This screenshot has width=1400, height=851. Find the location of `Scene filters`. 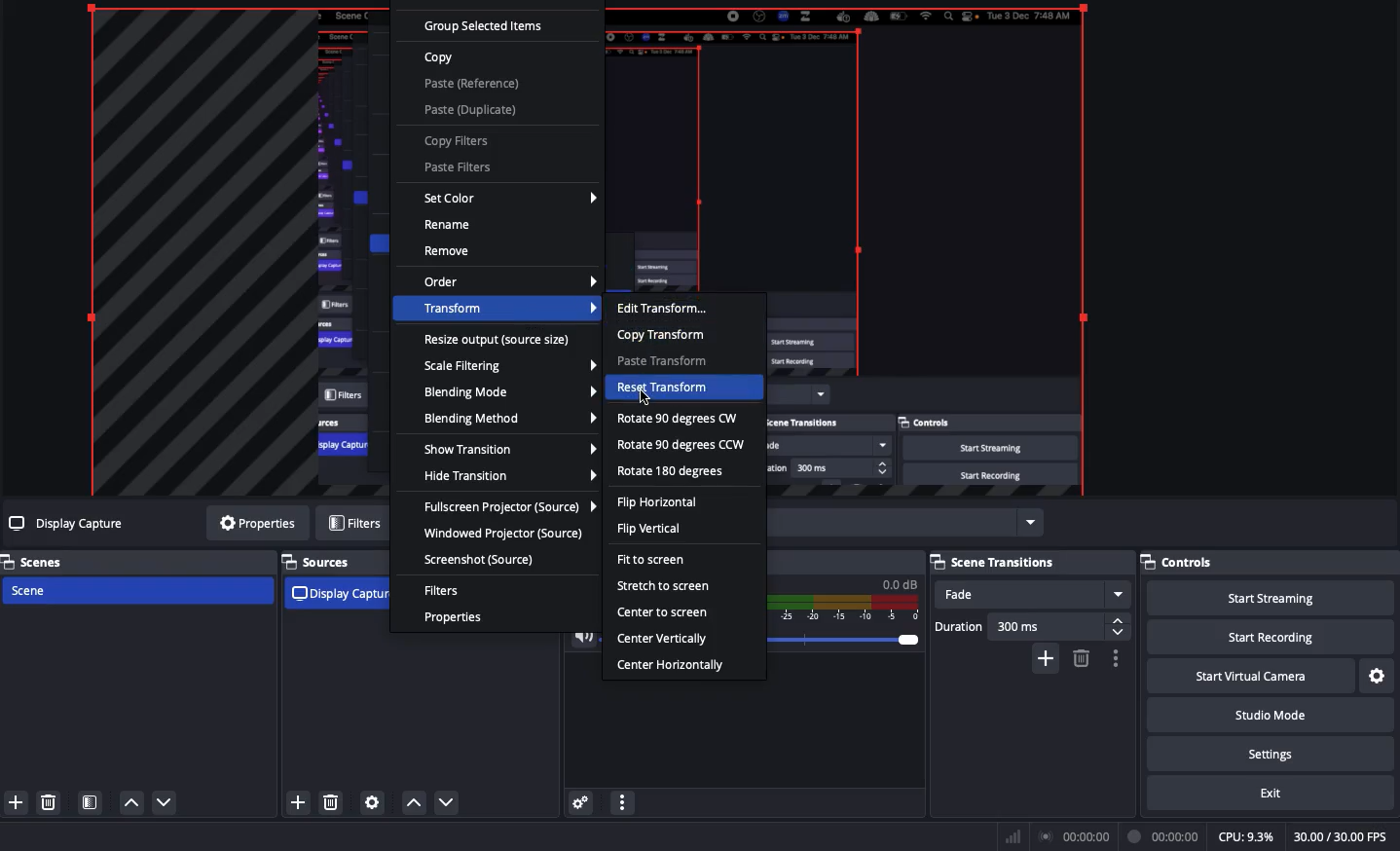

Scene filters is located at coordinates (90, 801).